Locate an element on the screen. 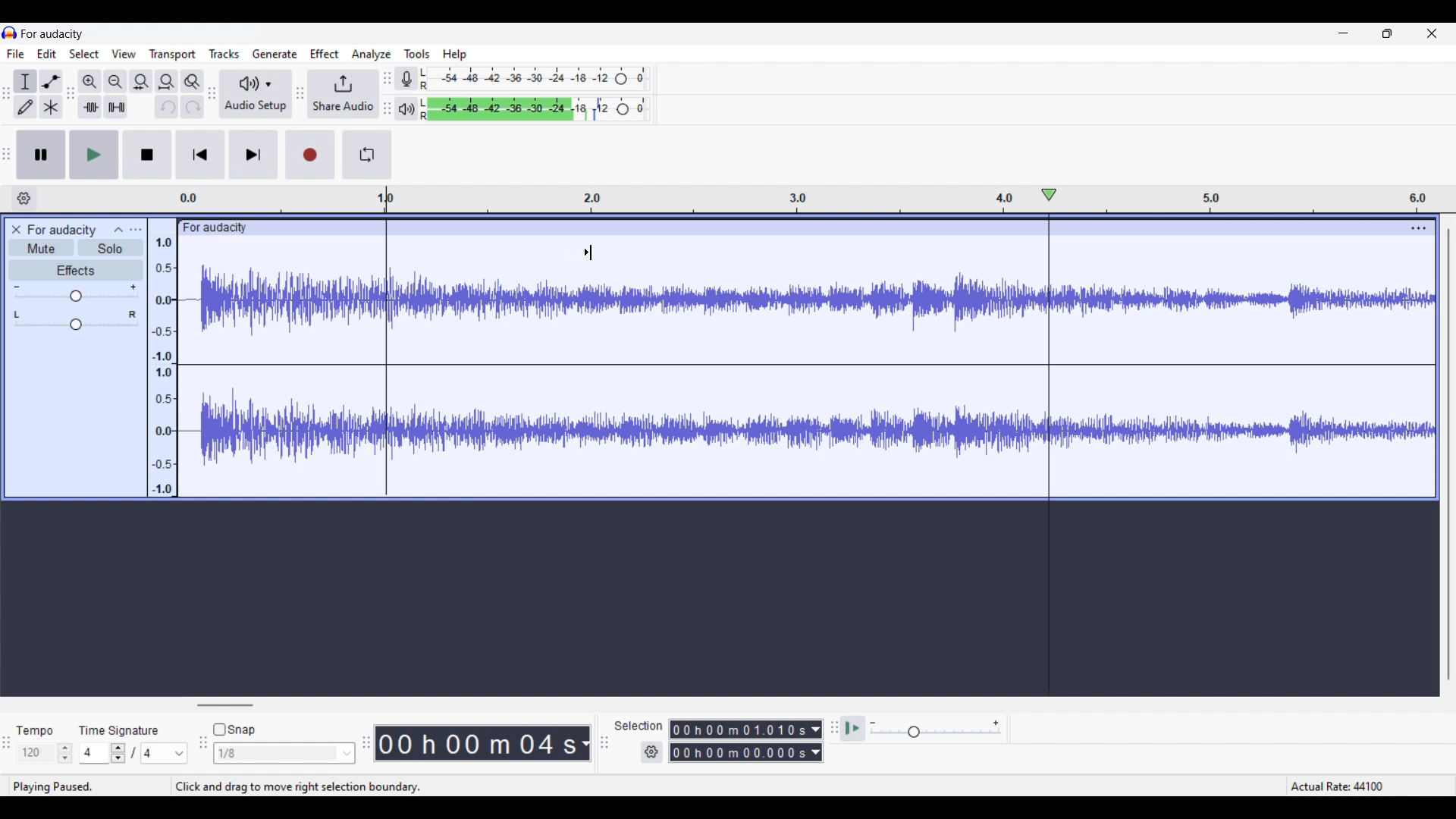  Playback level is located at coordinates (535, 108).